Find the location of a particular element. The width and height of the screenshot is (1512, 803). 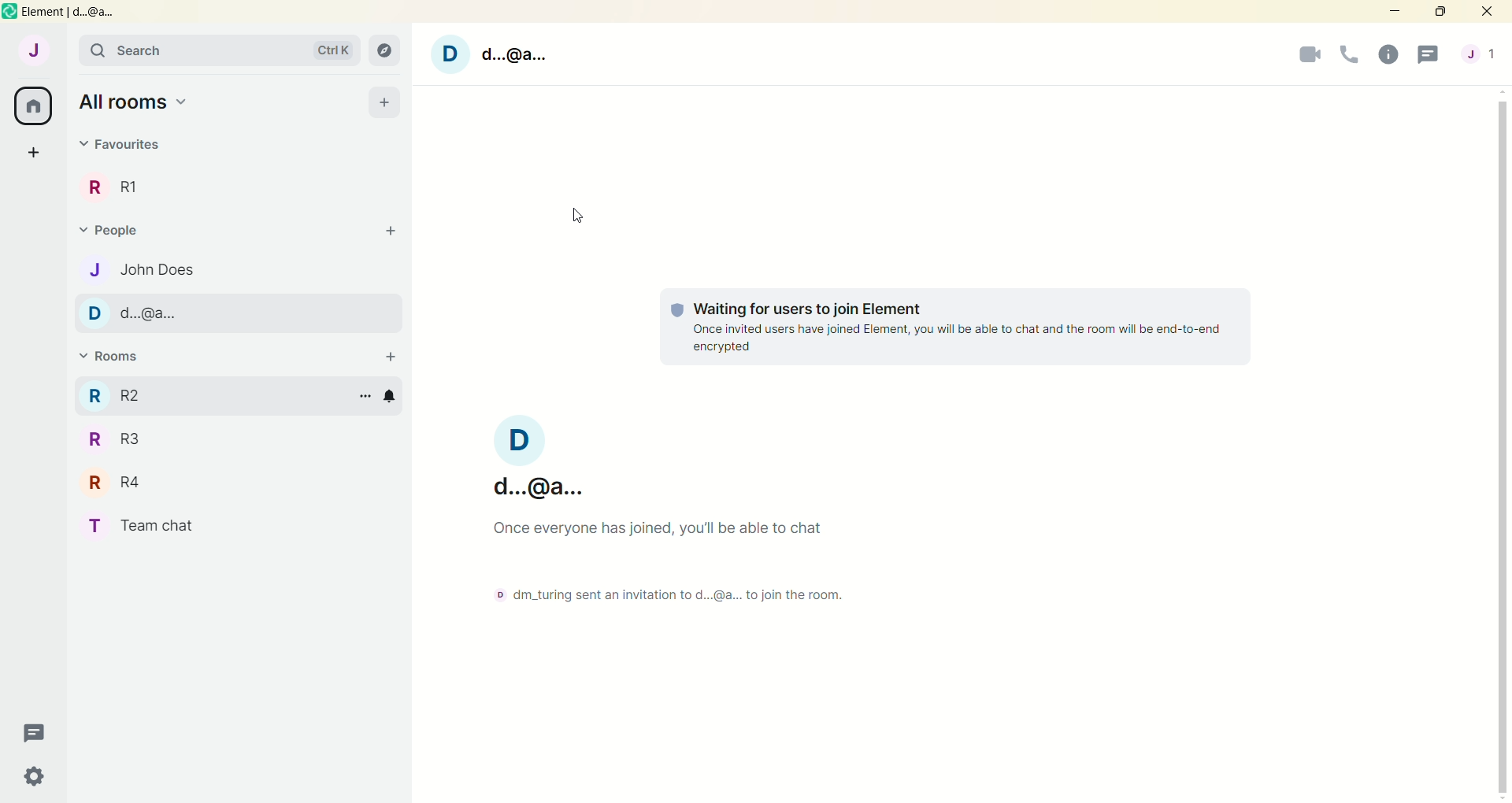

Notification is located at coordinates (396, 396).